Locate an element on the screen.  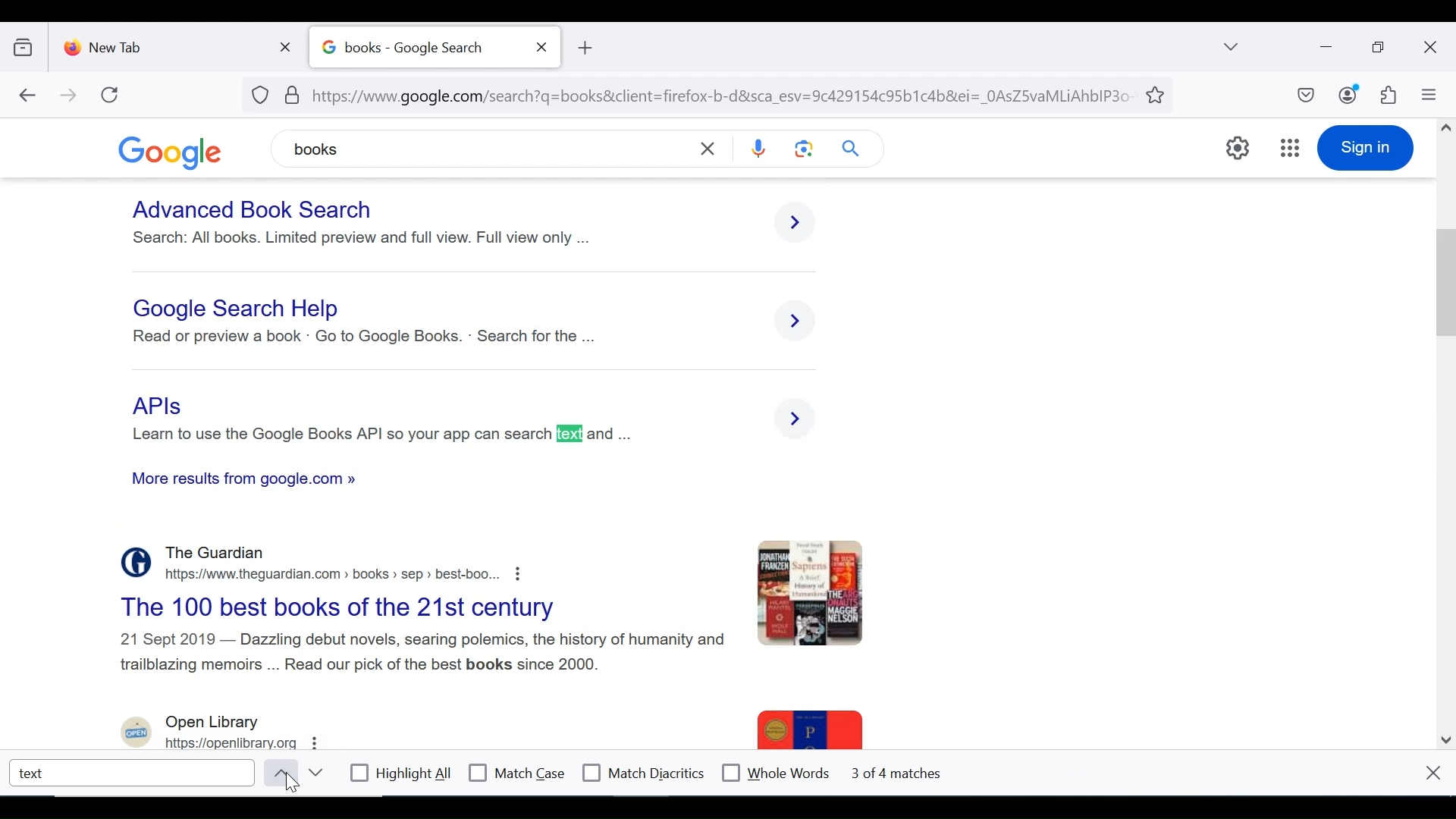
open application menu is located at coordinates (1428, 95).